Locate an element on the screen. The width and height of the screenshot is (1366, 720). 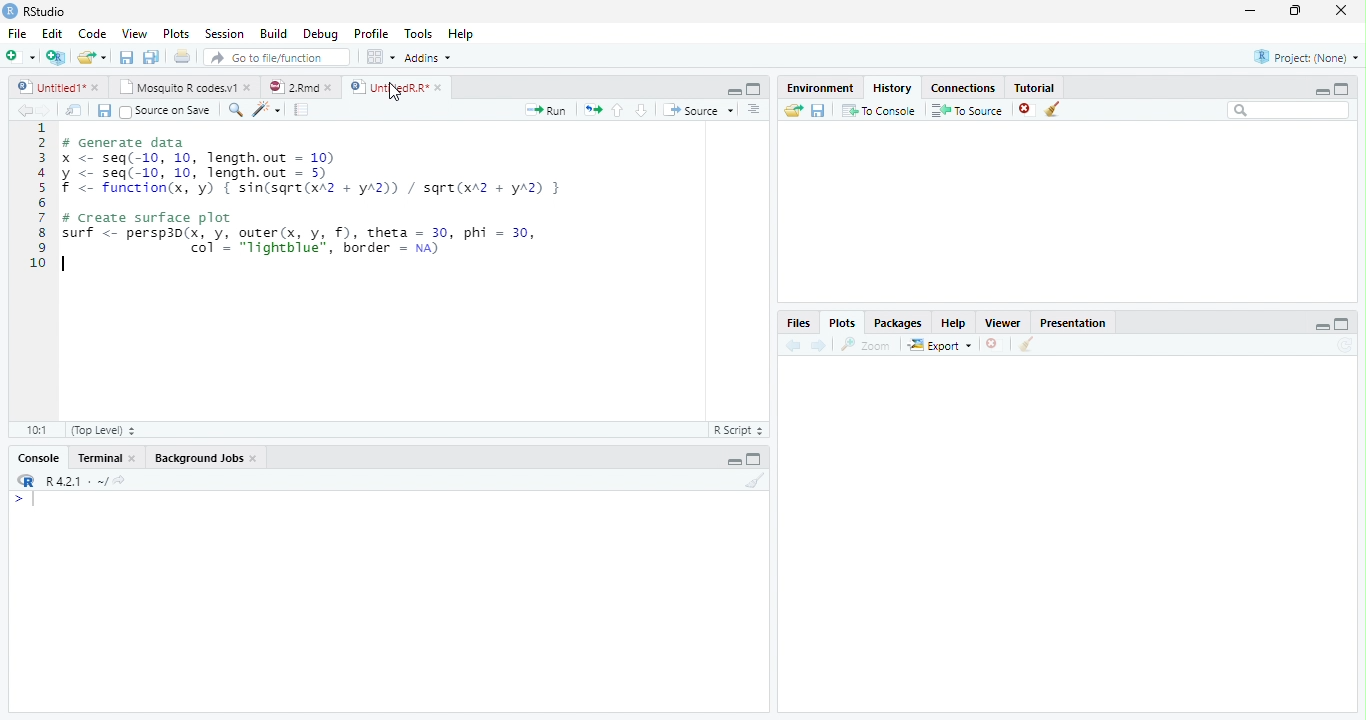
To Console is located at coordinates (879, 110).